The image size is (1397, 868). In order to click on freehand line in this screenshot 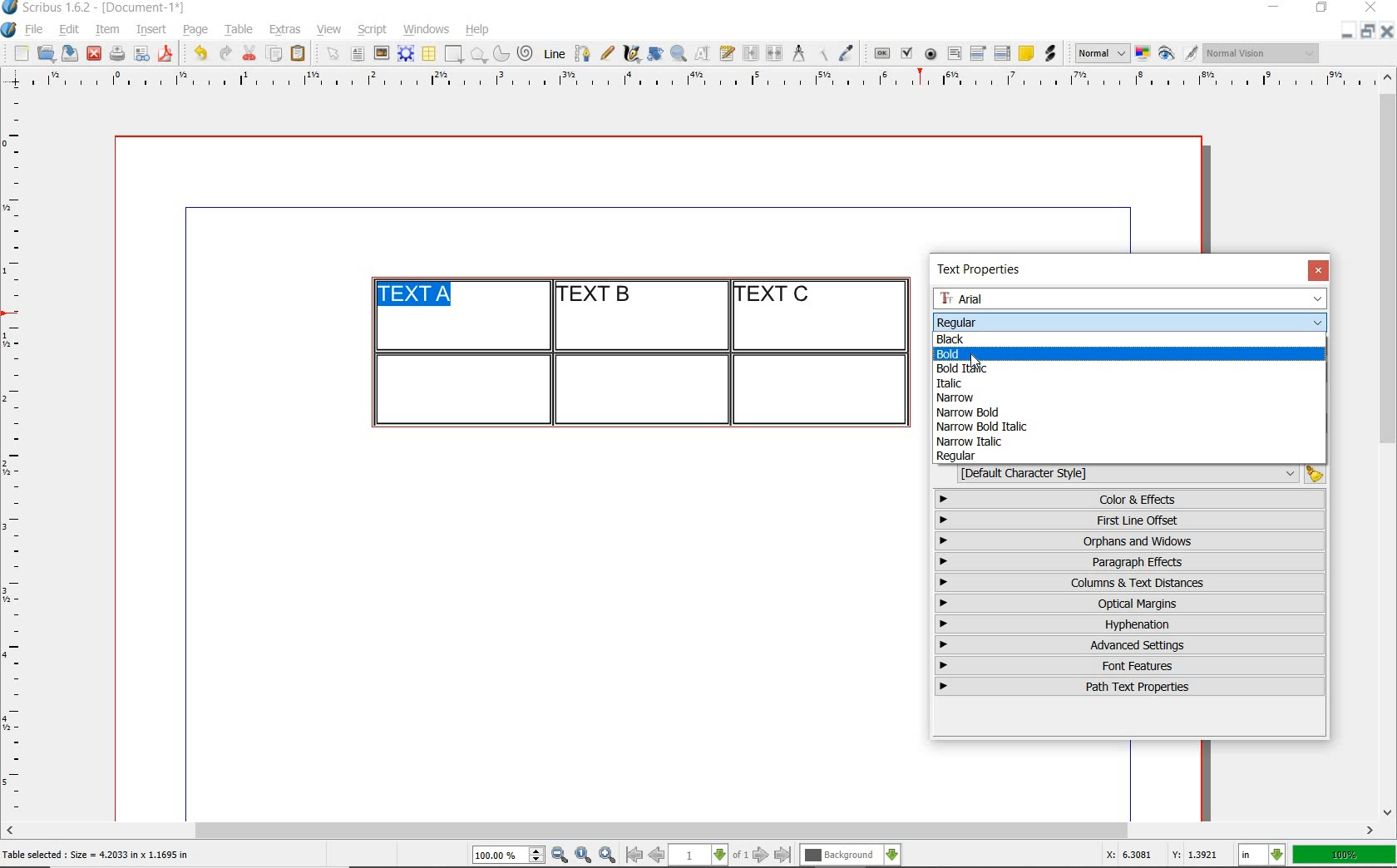, I will do `click(607, 53)`.